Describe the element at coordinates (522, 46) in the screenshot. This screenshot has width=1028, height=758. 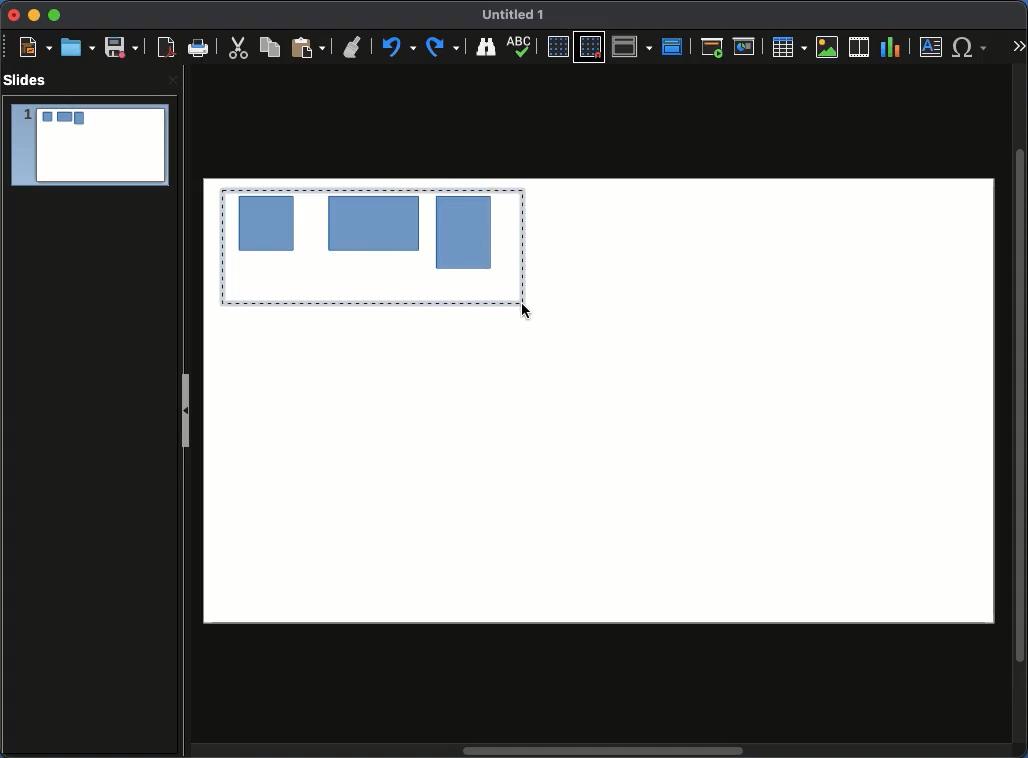
I see `Spell check` at that location.